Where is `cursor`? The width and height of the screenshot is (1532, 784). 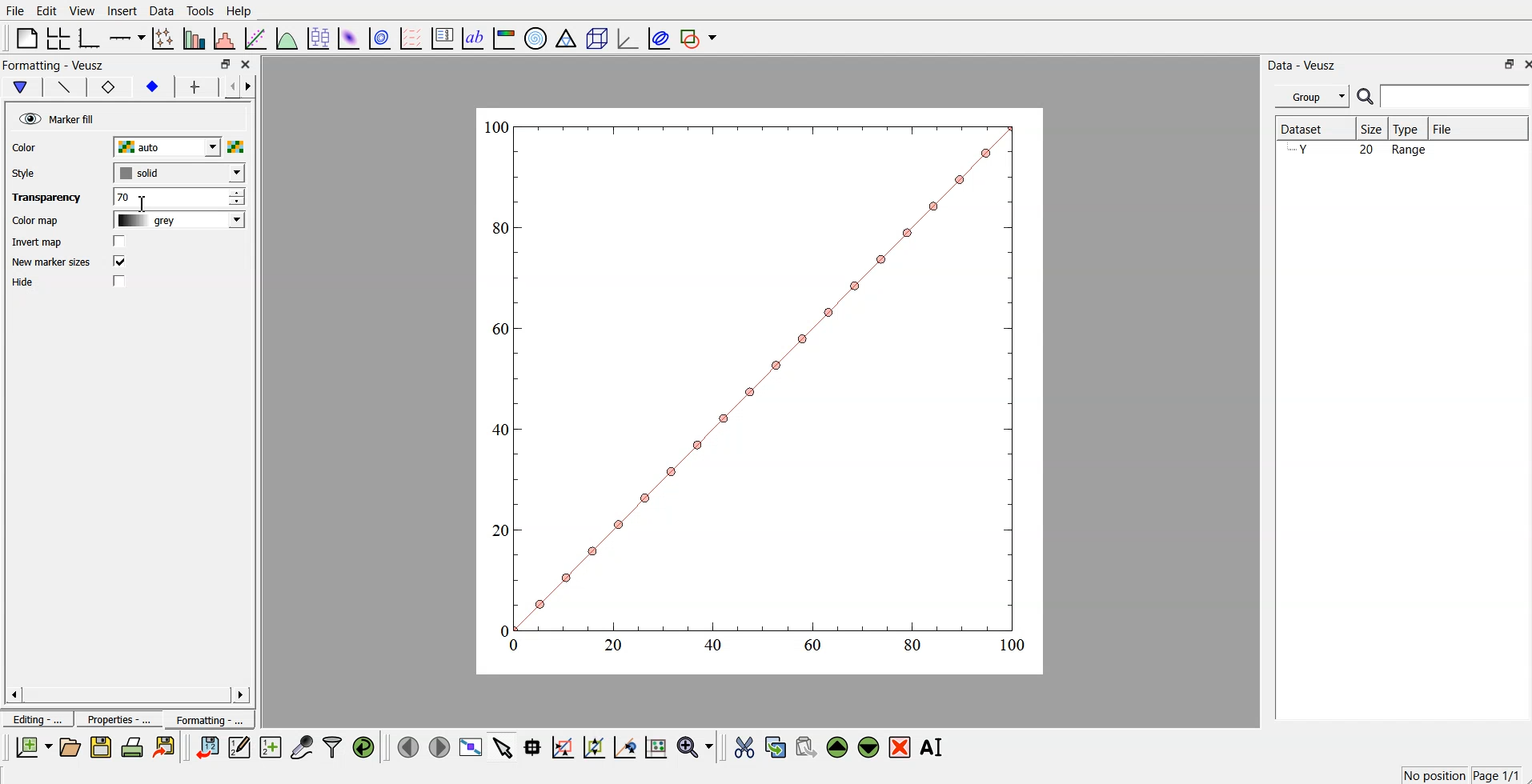
cursor is located at coordinates (142, 203).